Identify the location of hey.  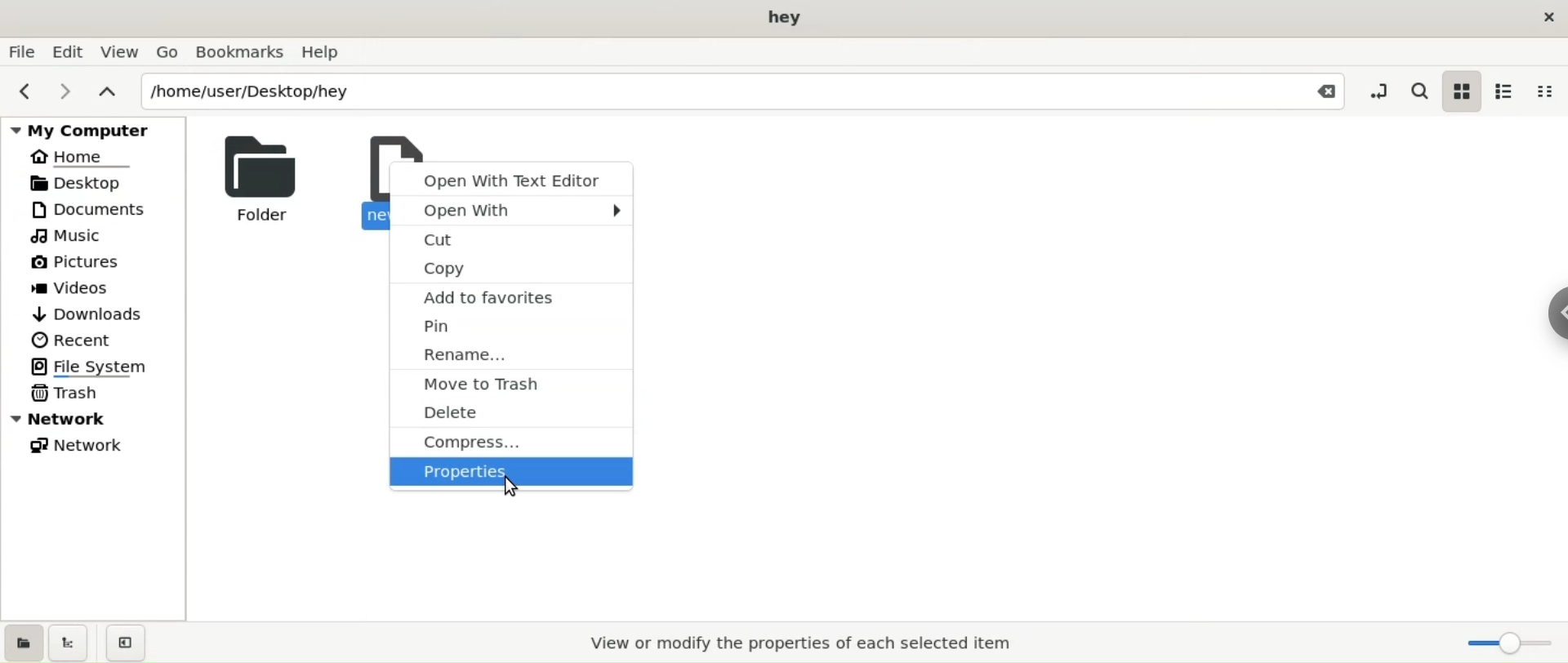
(785, 18).